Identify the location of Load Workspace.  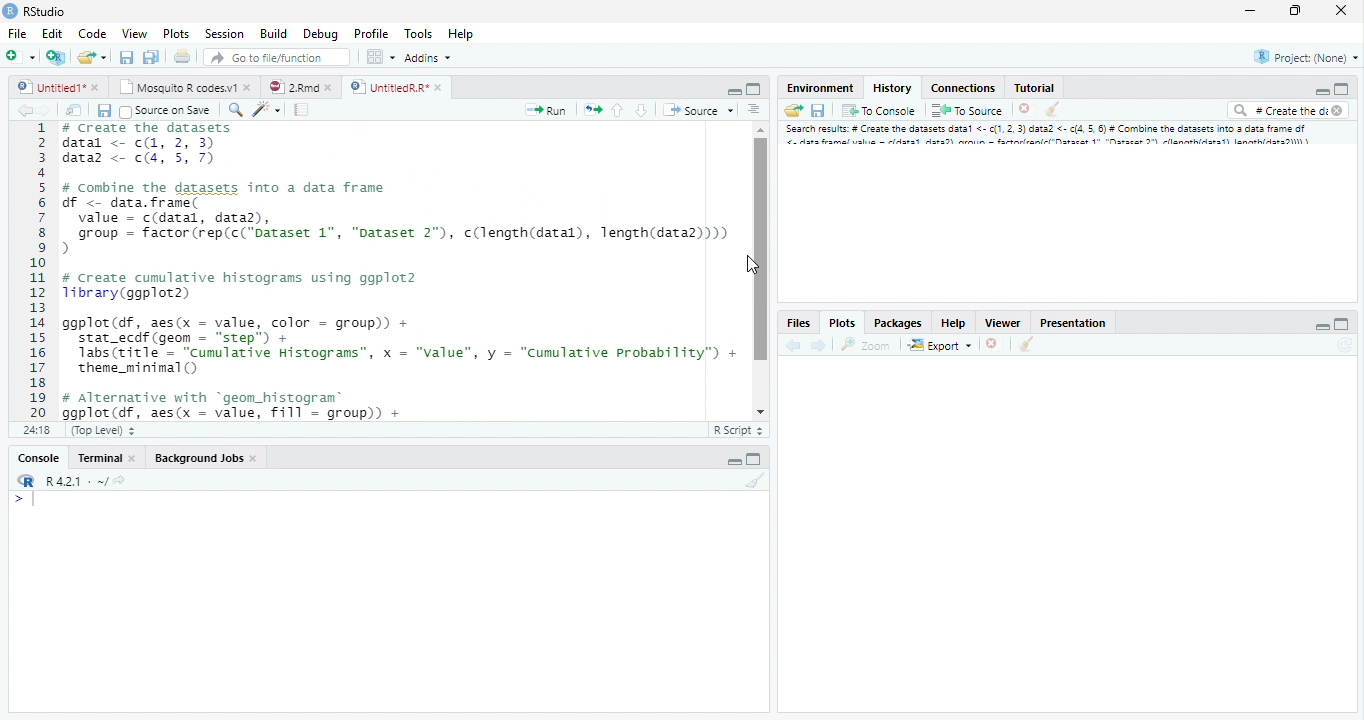
(795, 113).